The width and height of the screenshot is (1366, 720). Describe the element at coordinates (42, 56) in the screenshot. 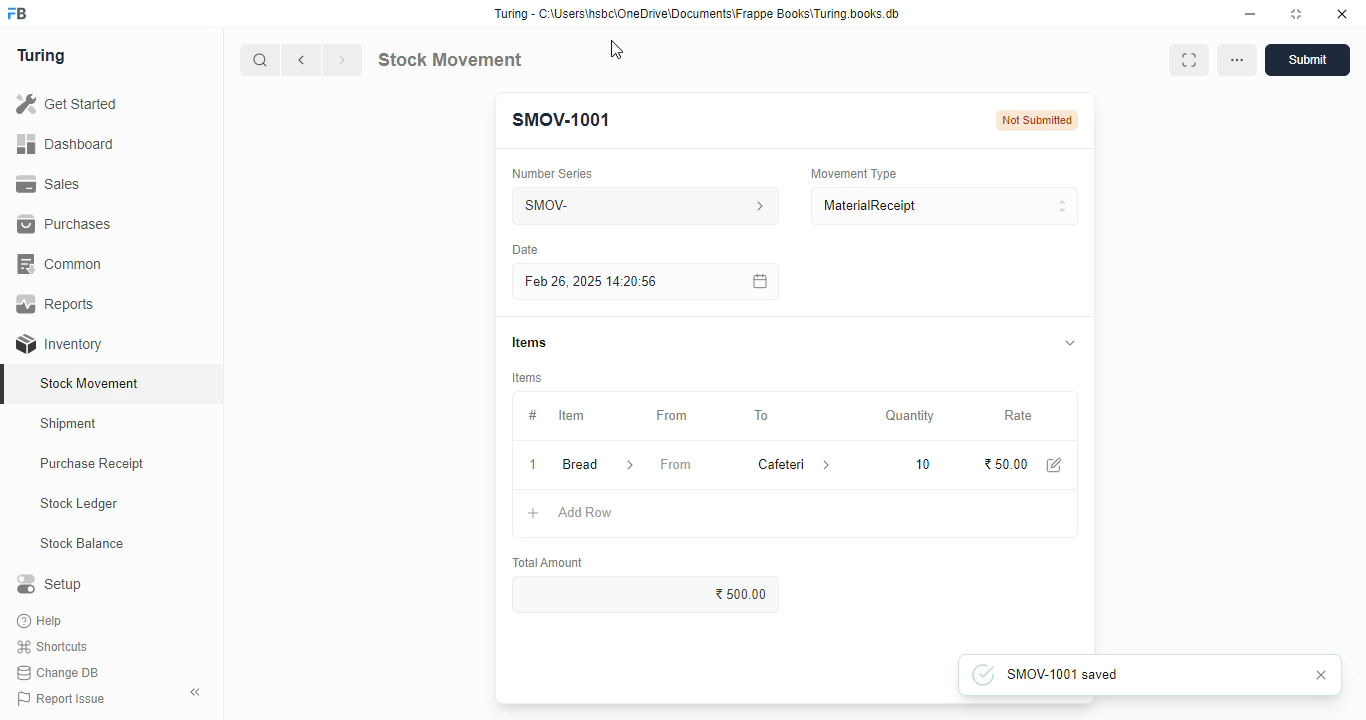

I see `turing` at that location.